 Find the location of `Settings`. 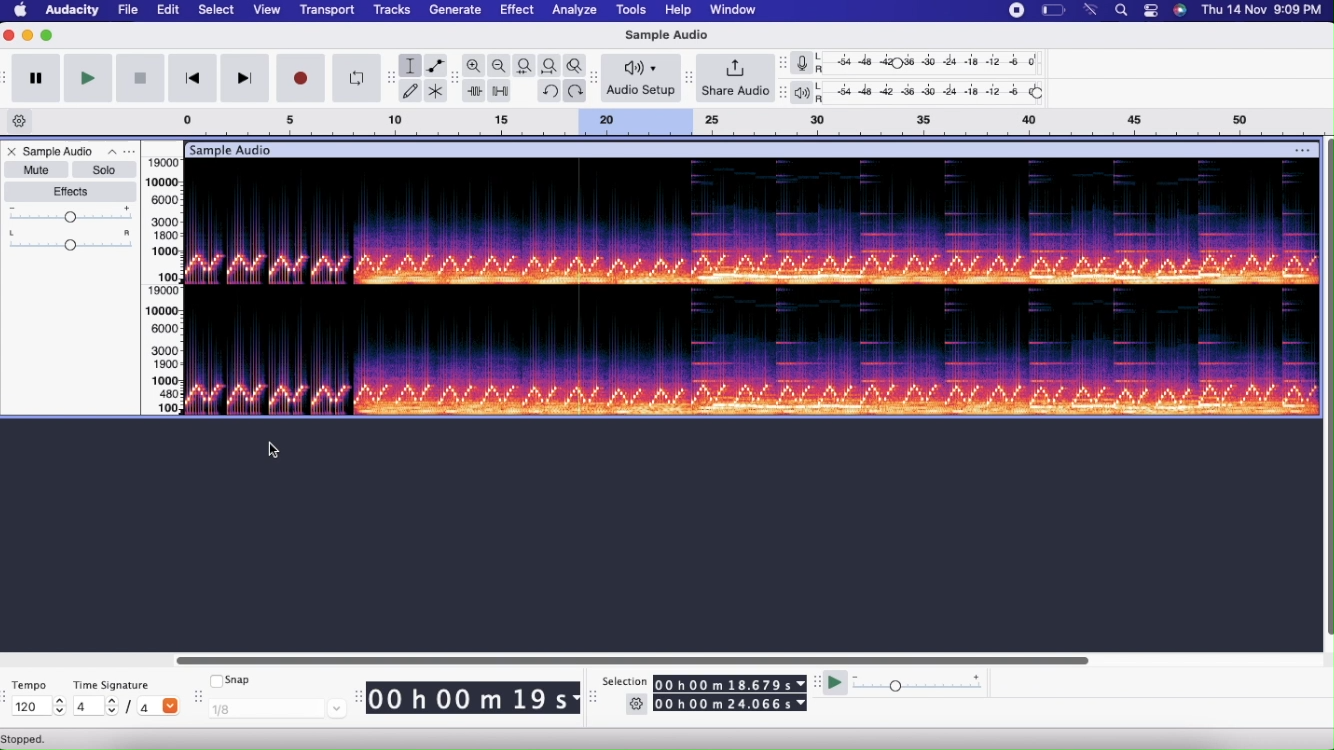

Settings is located at coordinates (635, 705).